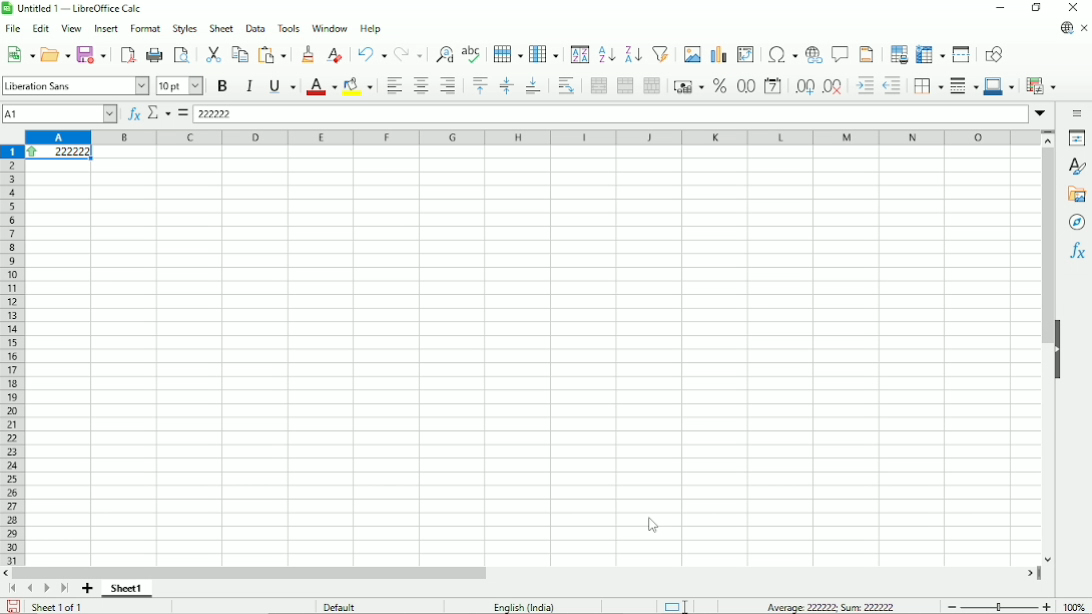 The width and height of the screenshot is (1092, 614). I want to click on Input line, so click(612, 113).